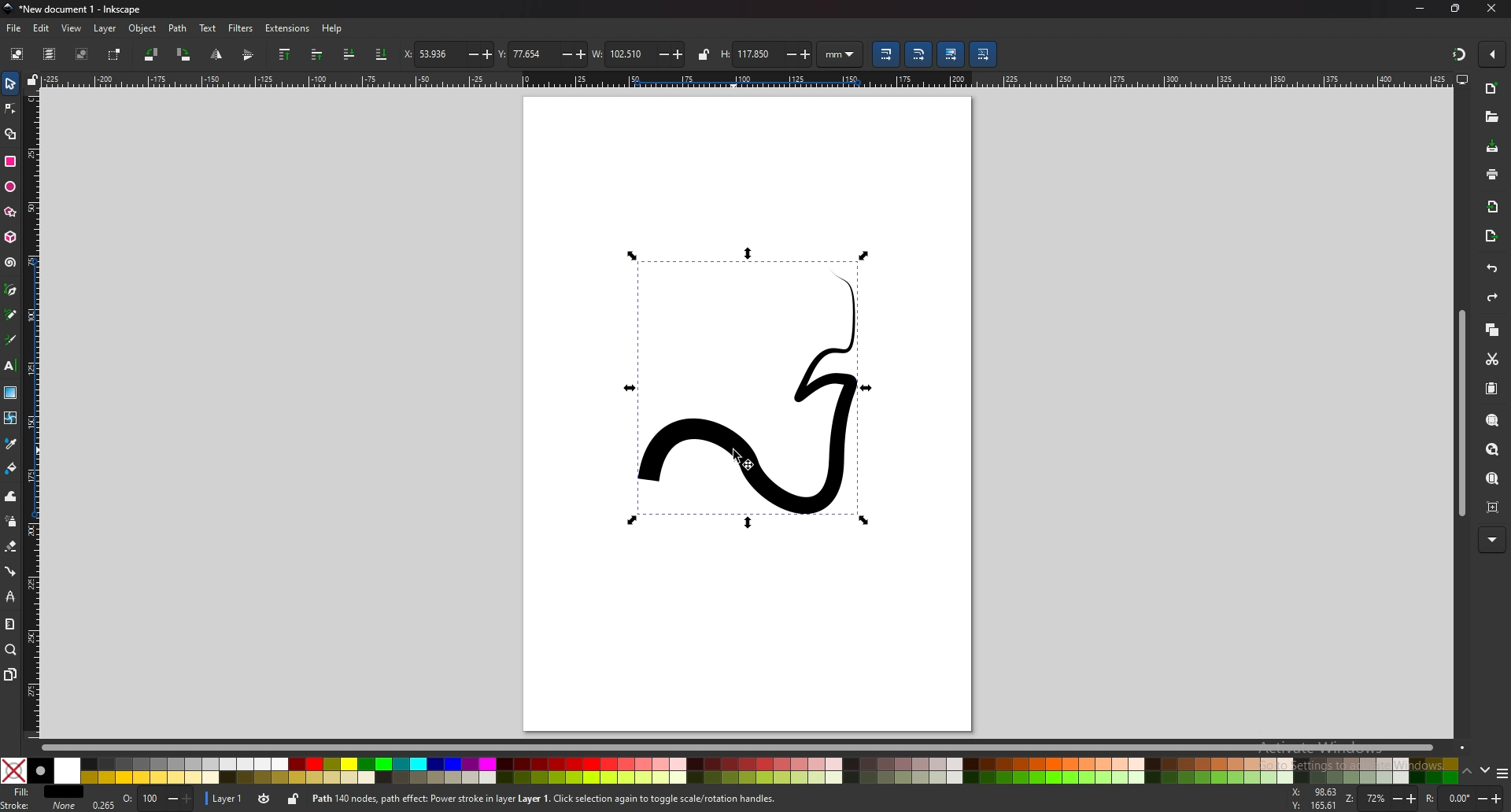 This screenshot has width=1511, height=812. I want to click on height, so click(767, 53).